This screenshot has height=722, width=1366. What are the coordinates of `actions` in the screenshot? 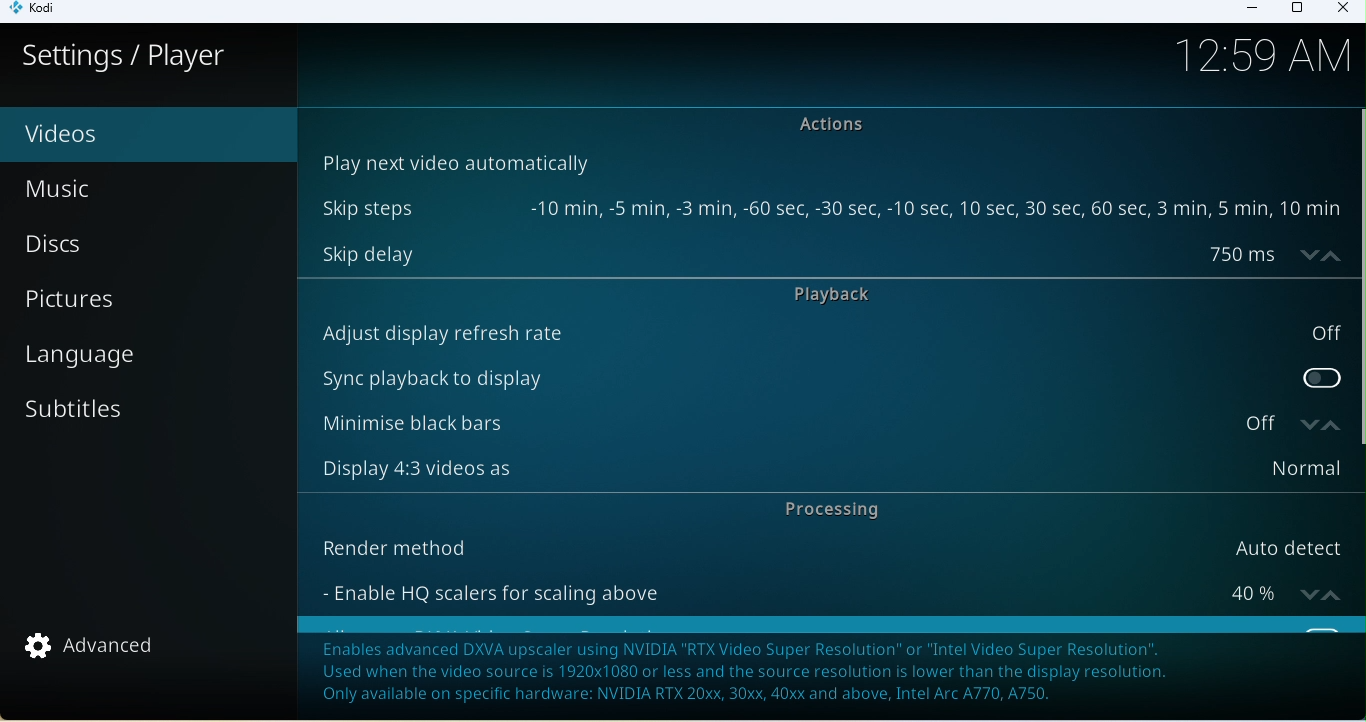 It's located at (840, 125).